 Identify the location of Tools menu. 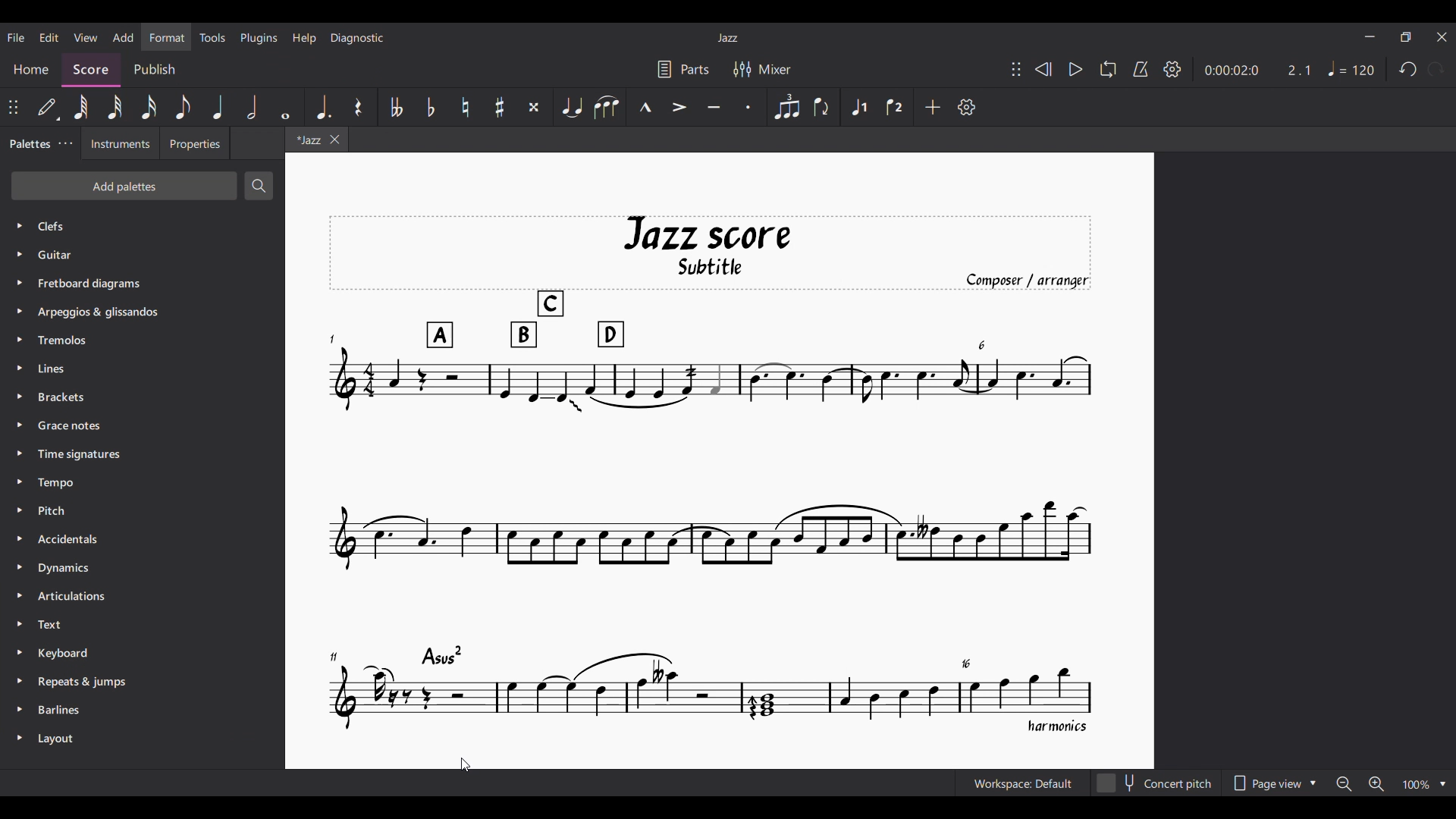
(212, 38).